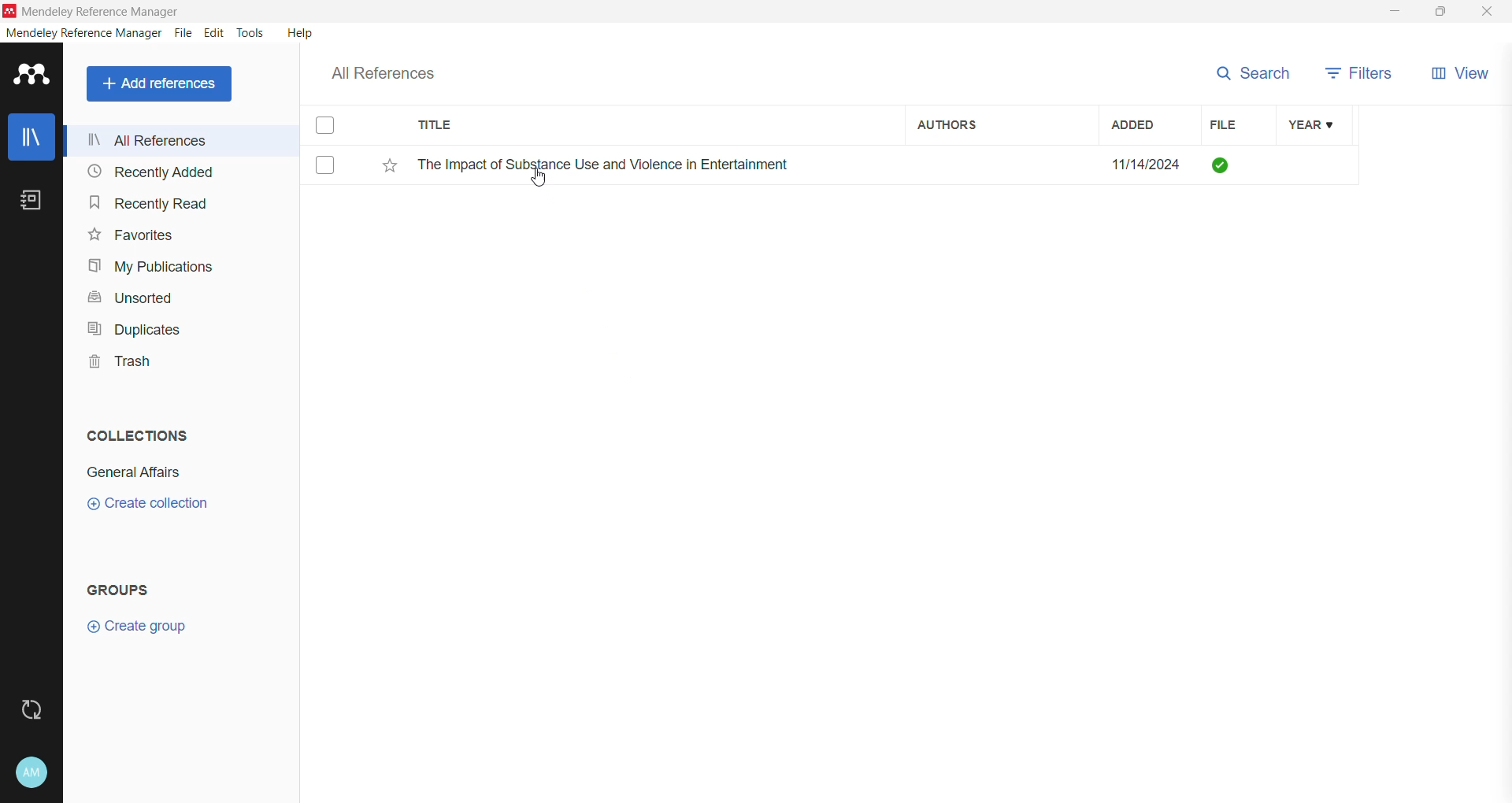 This screenshot has height=803, width=1512. What do you see at coordinates (129, 327) in the screenshot?
I see `Duplicates` at bounding box center [129, 327].